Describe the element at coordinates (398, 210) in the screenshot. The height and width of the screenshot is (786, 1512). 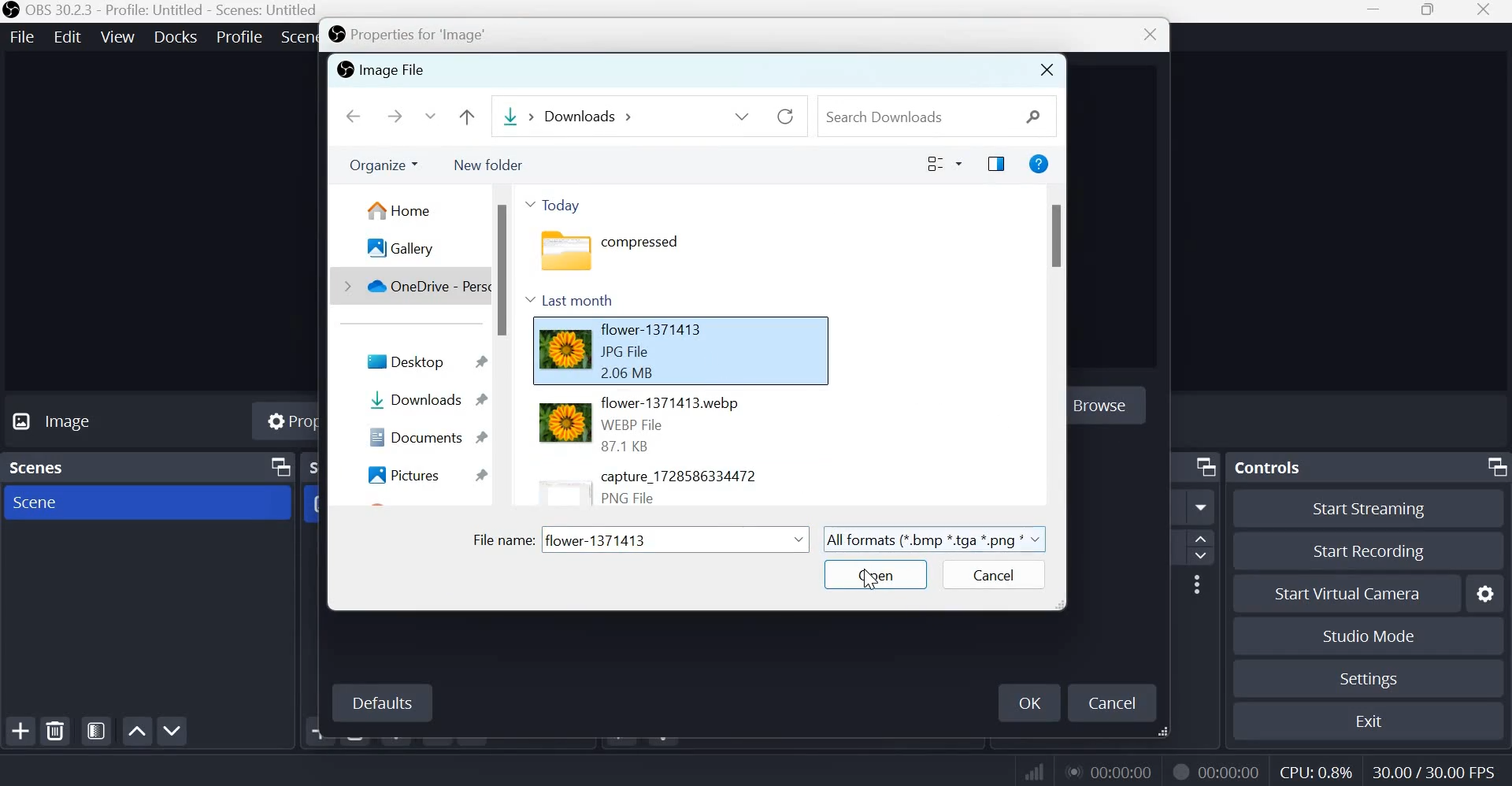
I see `home` at that location.